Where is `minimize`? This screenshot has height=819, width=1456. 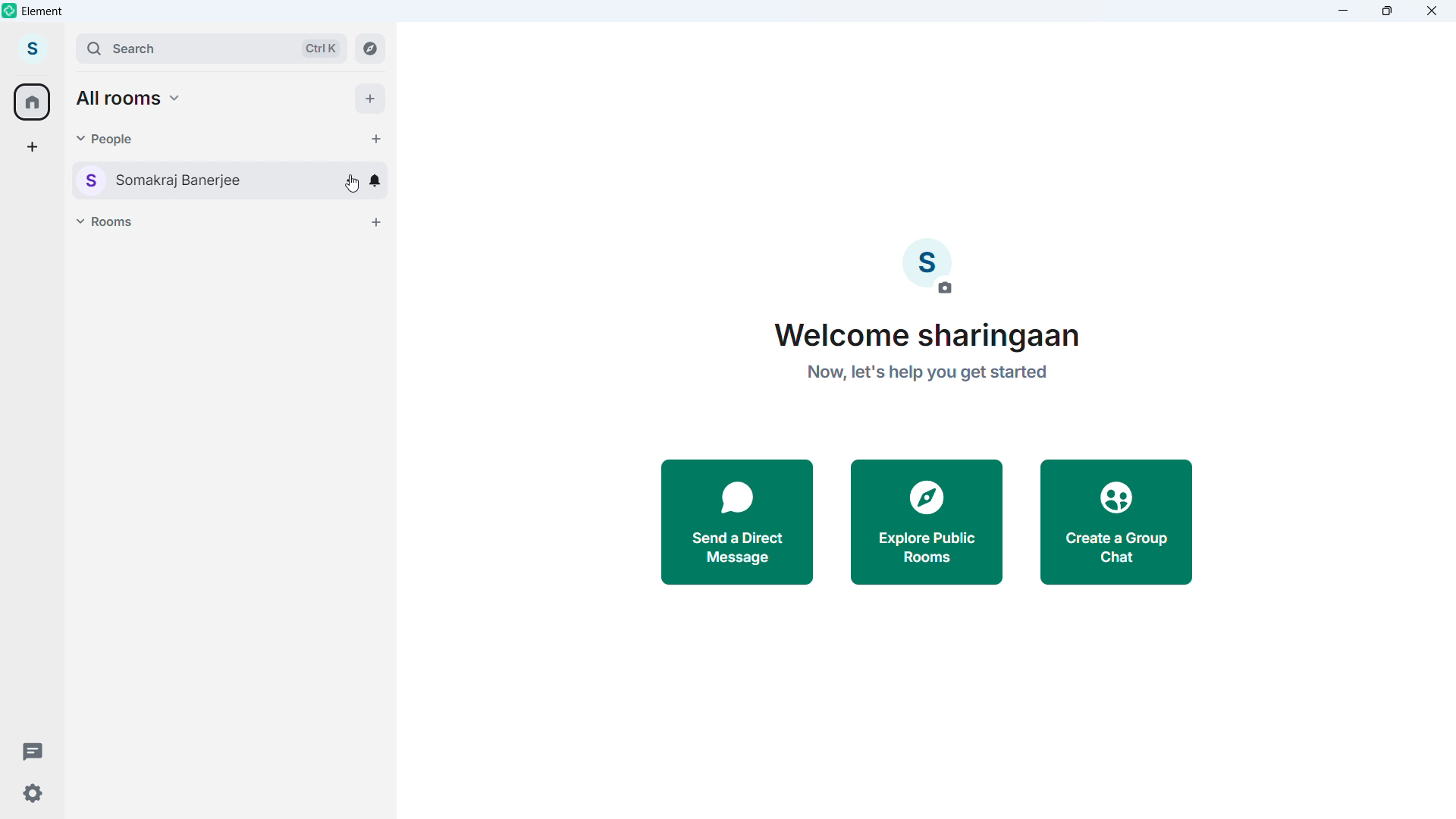 minimize is located at coordinates (1344, 11).